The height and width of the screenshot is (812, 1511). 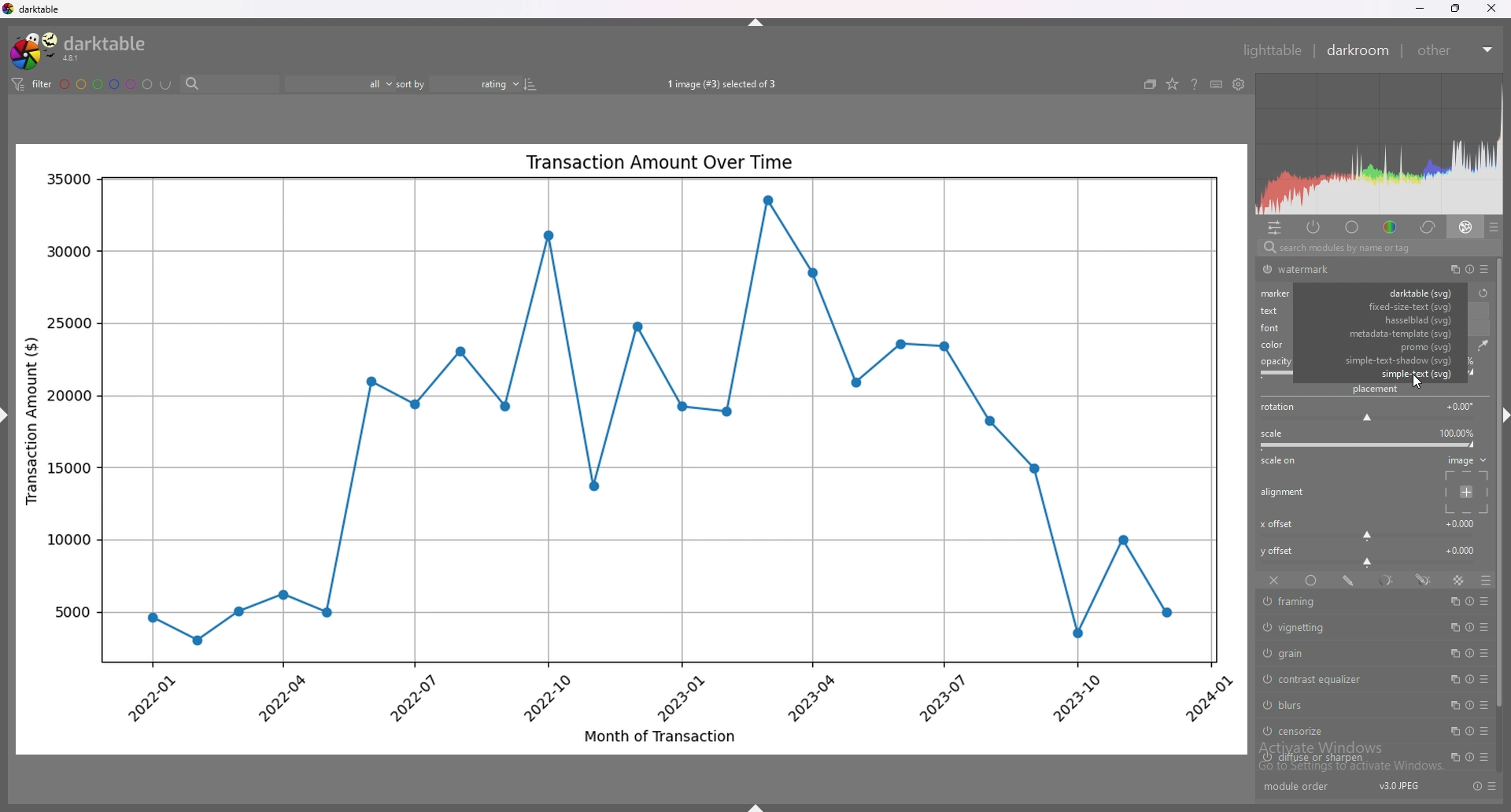 I want to click on simple text shadow svg, so click(x=1387, y=360).